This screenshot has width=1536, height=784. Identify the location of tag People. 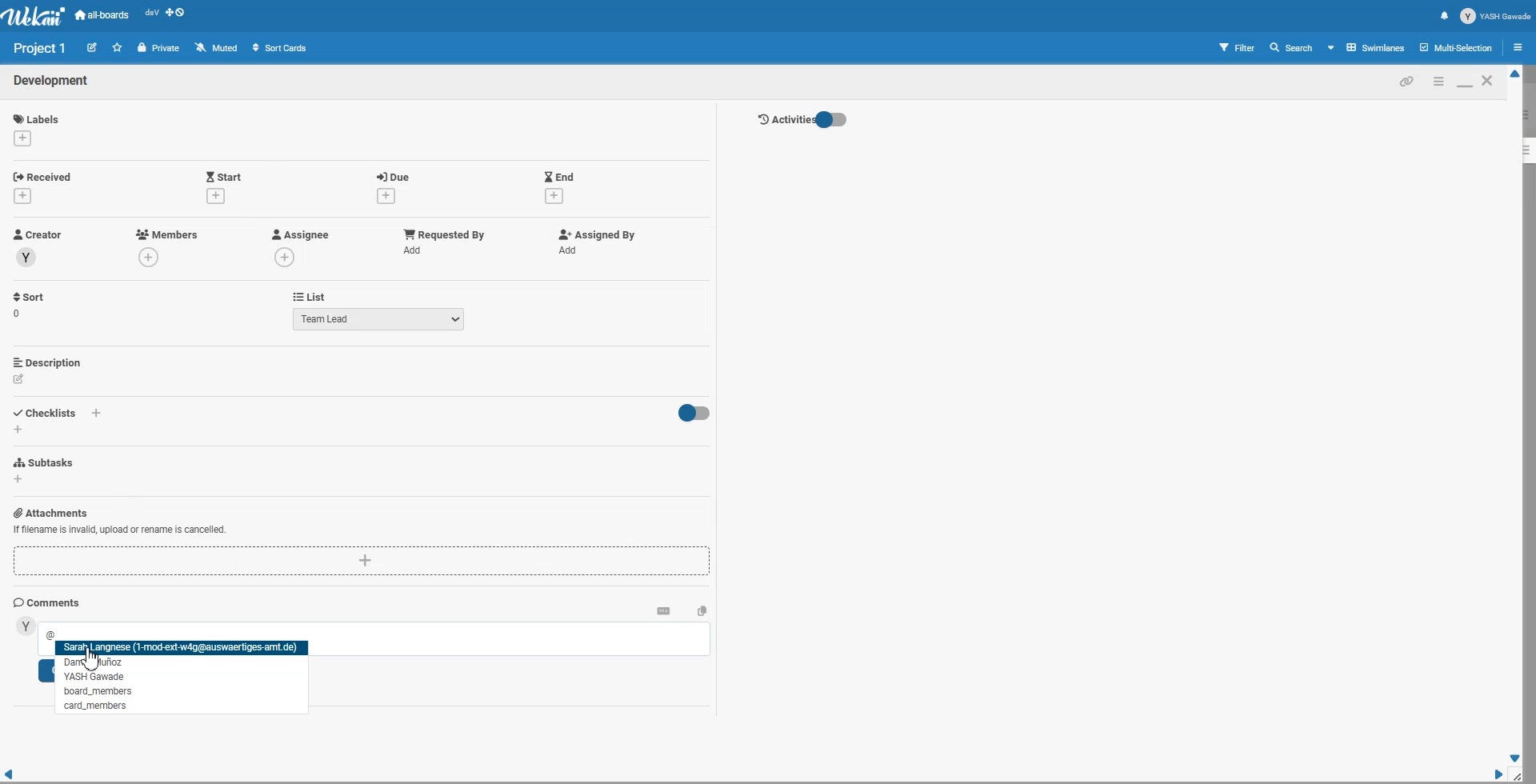
(100, 690).